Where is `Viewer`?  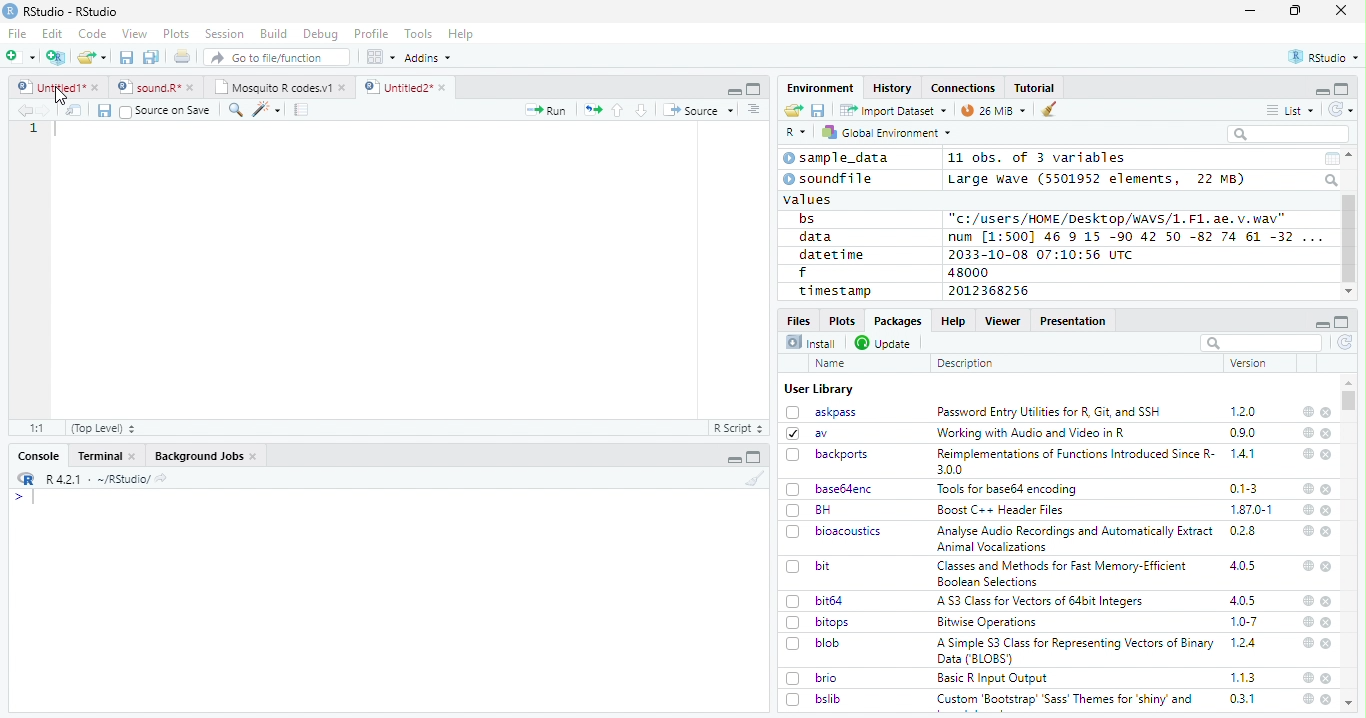 Viewer is located at coordinates (1003, 320).